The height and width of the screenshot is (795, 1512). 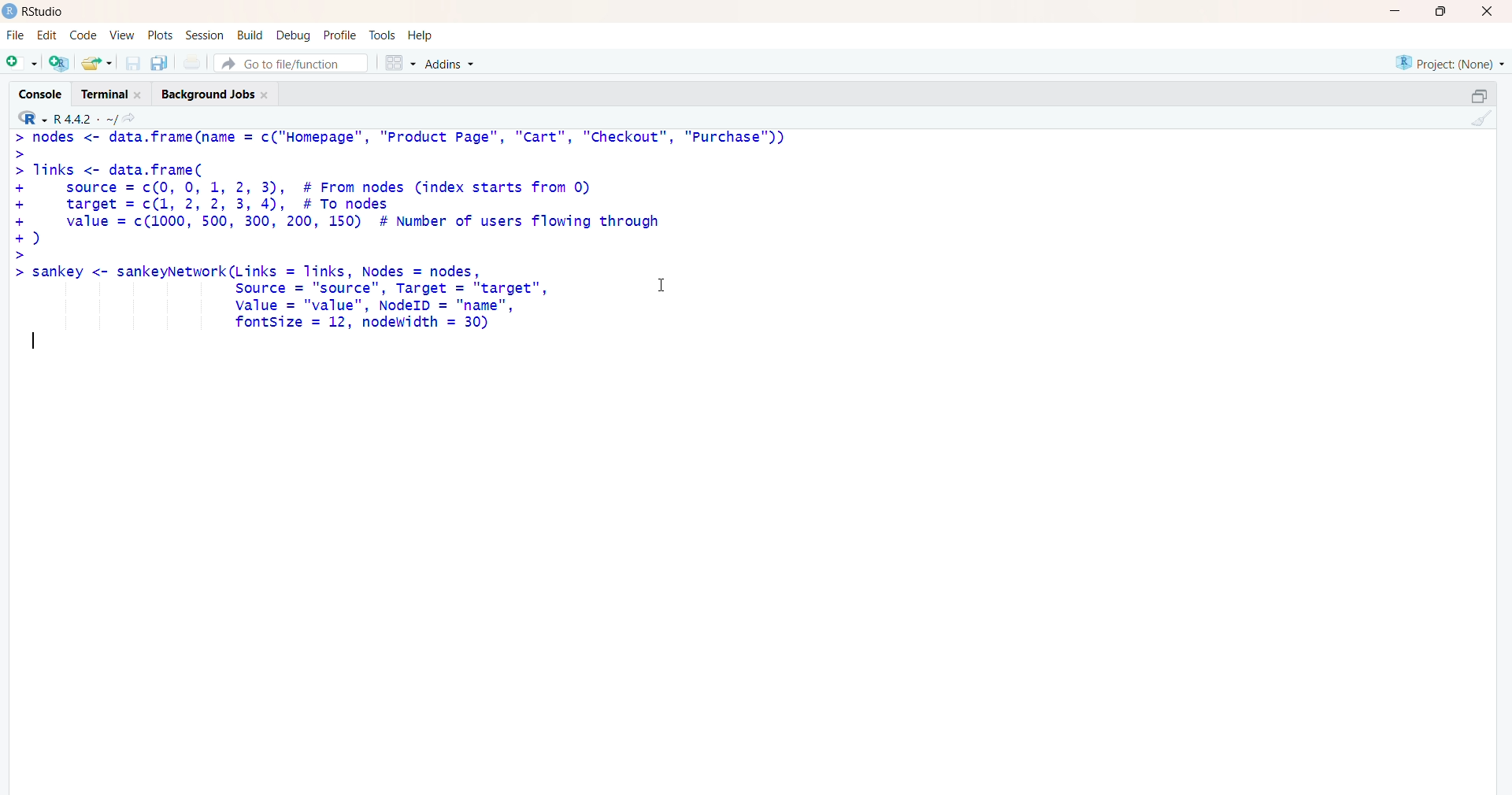 I want to click on cursor, so click(x=660, y=286).